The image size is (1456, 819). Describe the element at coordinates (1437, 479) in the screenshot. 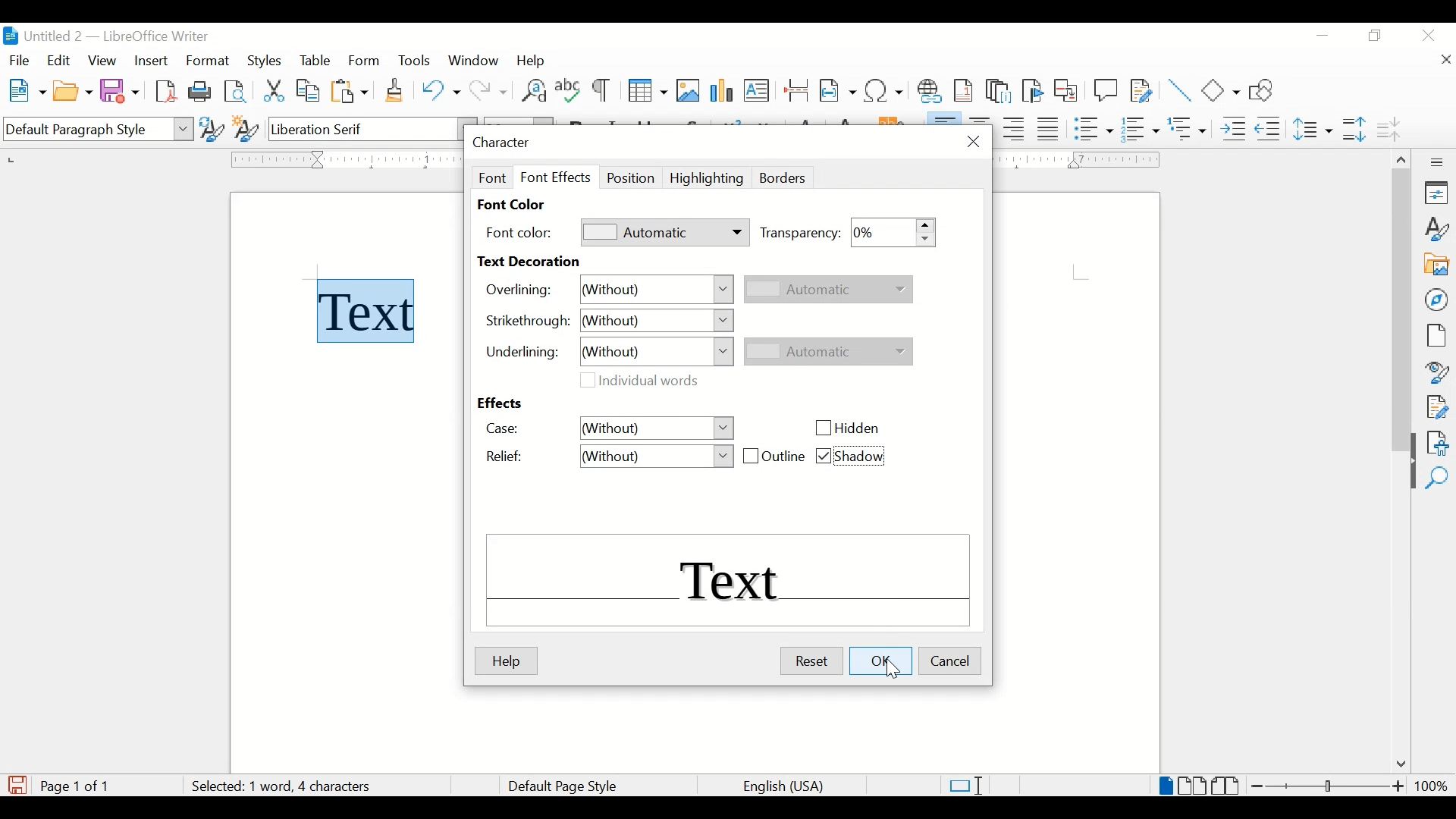

I see `find` at that location.